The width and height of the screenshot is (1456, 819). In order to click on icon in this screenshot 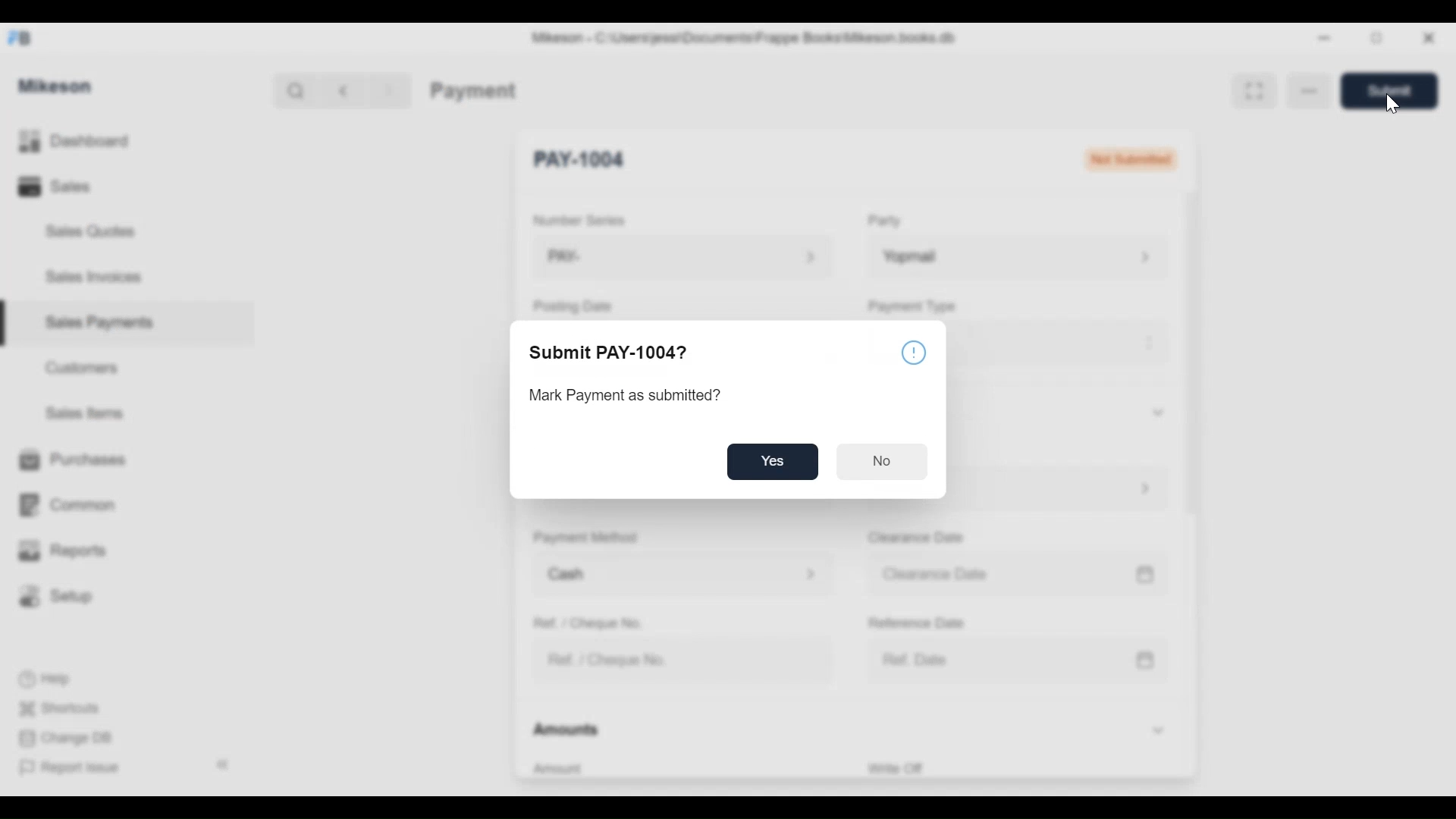, I will do `click(915, 351)`.